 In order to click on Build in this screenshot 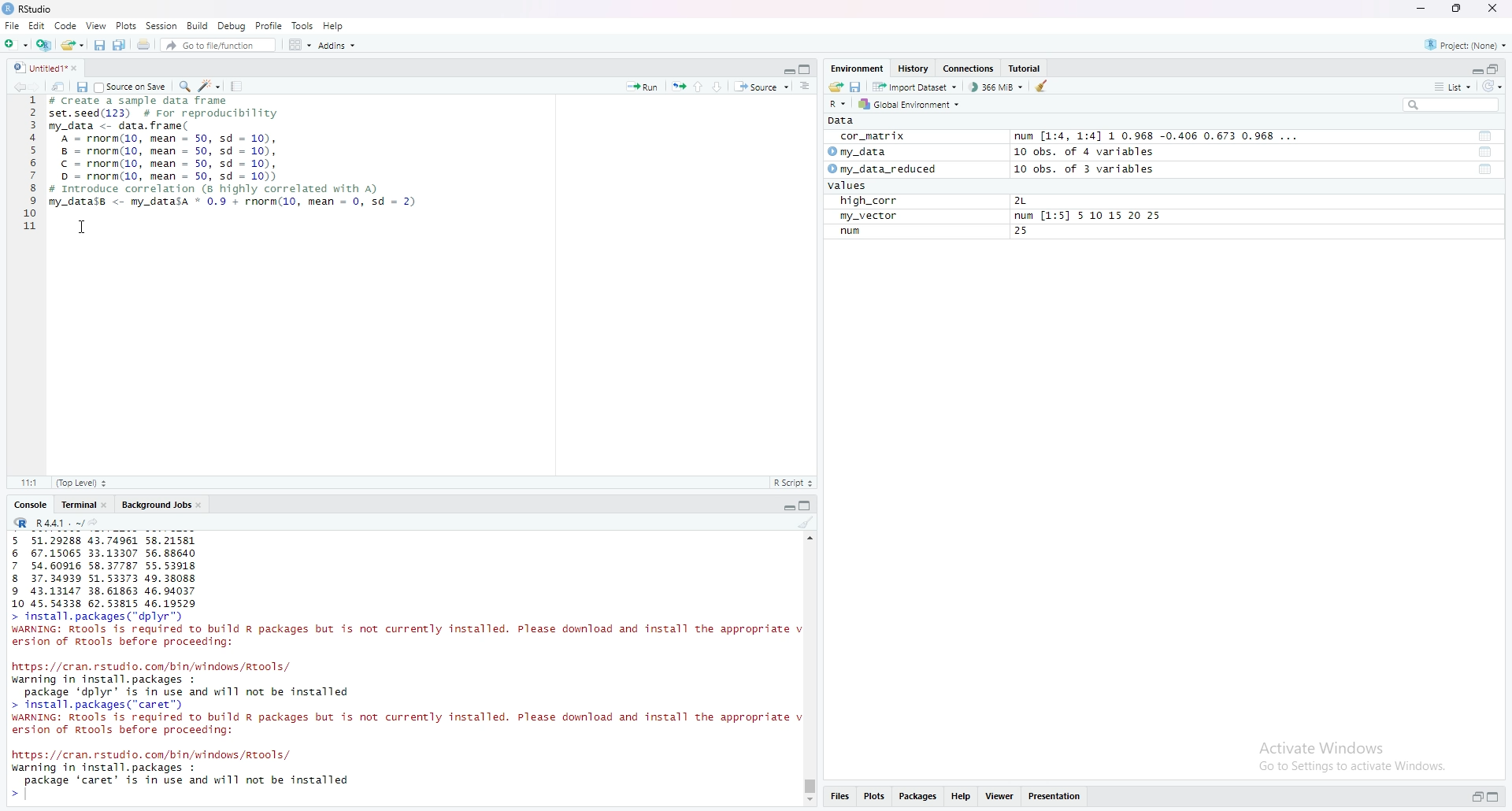, I will do `click(197, 26)`.